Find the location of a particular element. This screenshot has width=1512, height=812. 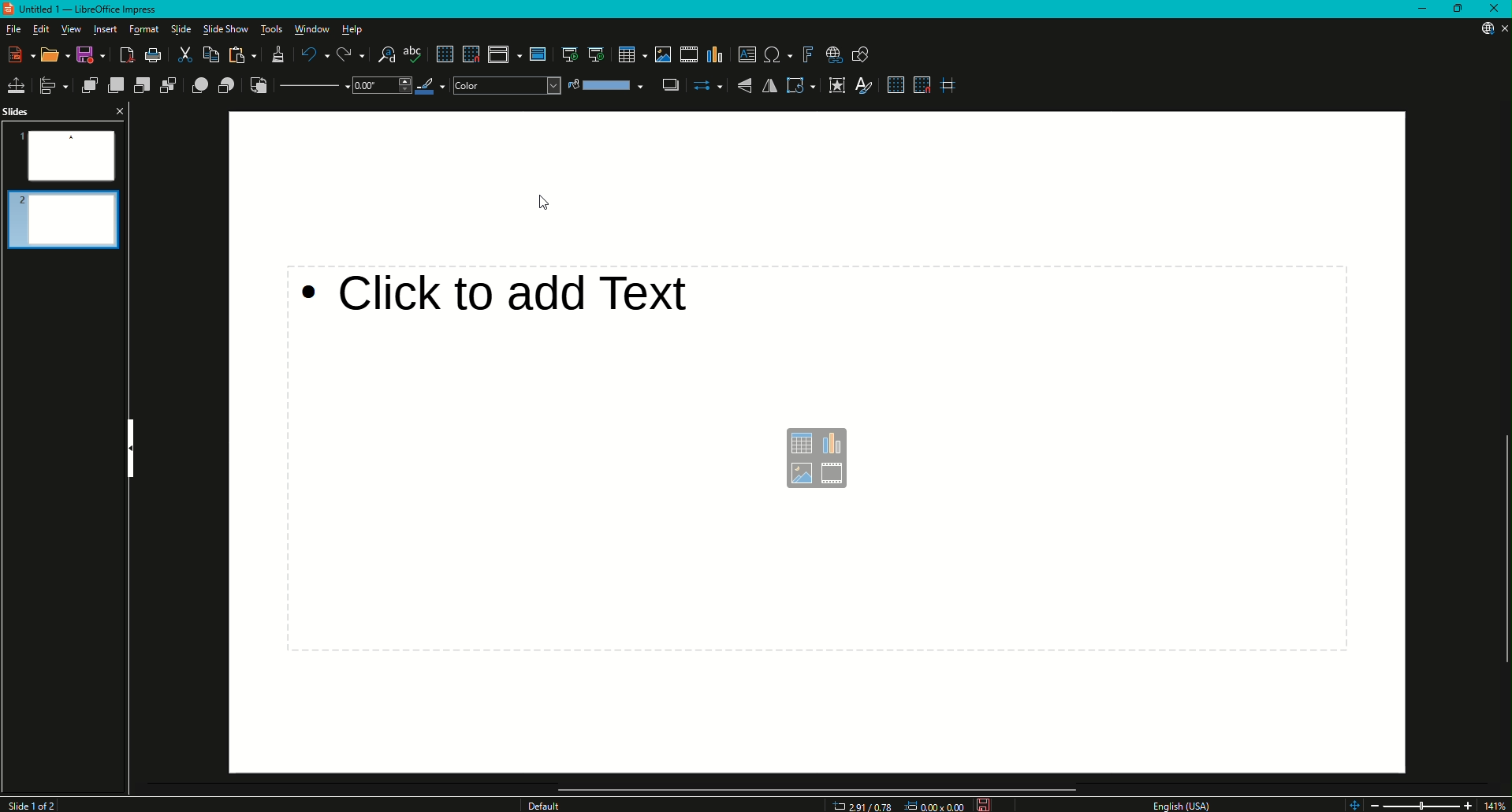

Insert Audio or Video is located at coordinates (688, 52).